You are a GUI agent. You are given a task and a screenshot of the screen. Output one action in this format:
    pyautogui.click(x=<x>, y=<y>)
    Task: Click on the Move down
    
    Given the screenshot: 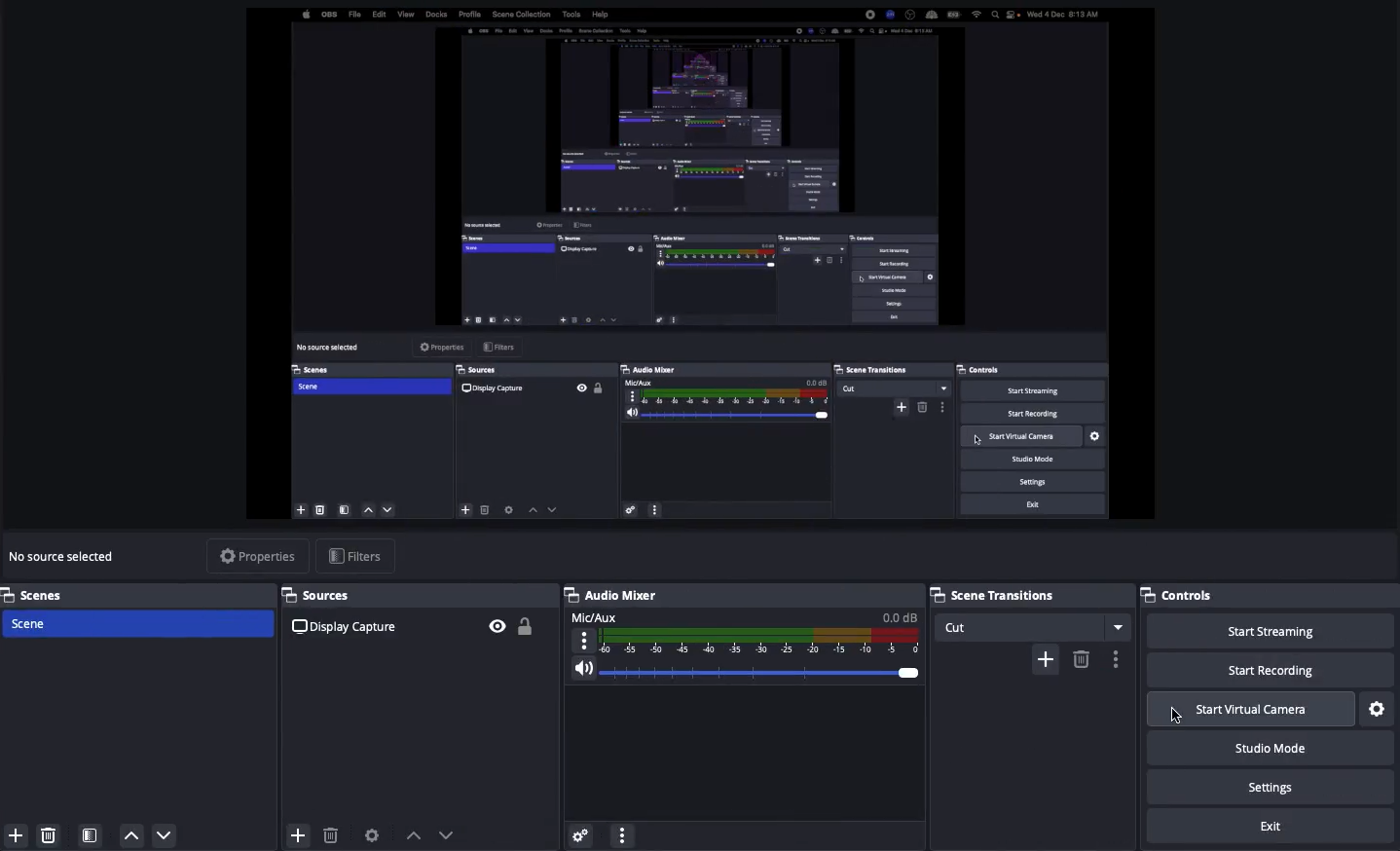 What is the action you would take?
    pyautogui.click(x=166, y=834)
    